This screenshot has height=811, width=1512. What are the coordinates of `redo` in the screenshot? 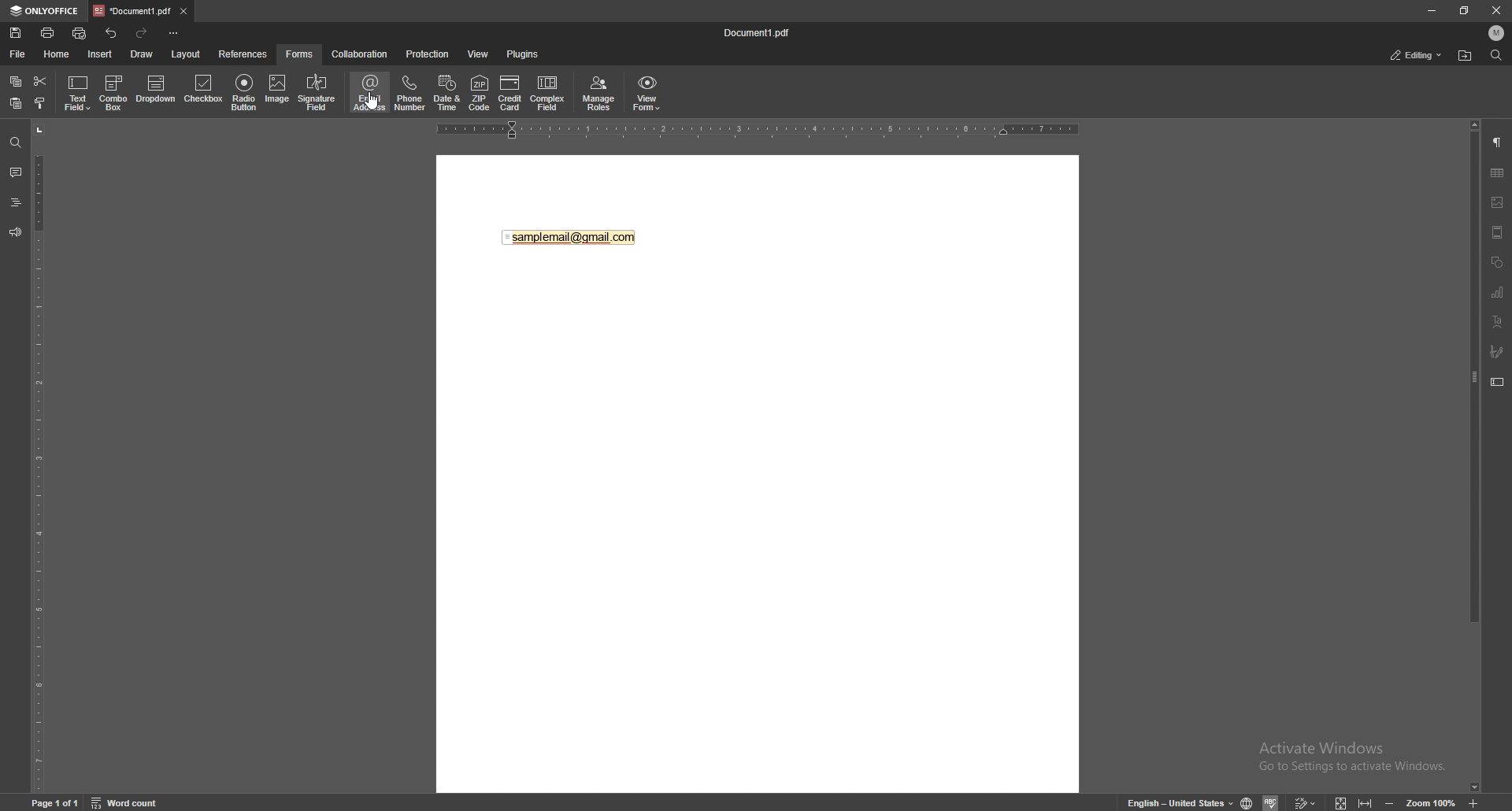 It's located at (144, 33).